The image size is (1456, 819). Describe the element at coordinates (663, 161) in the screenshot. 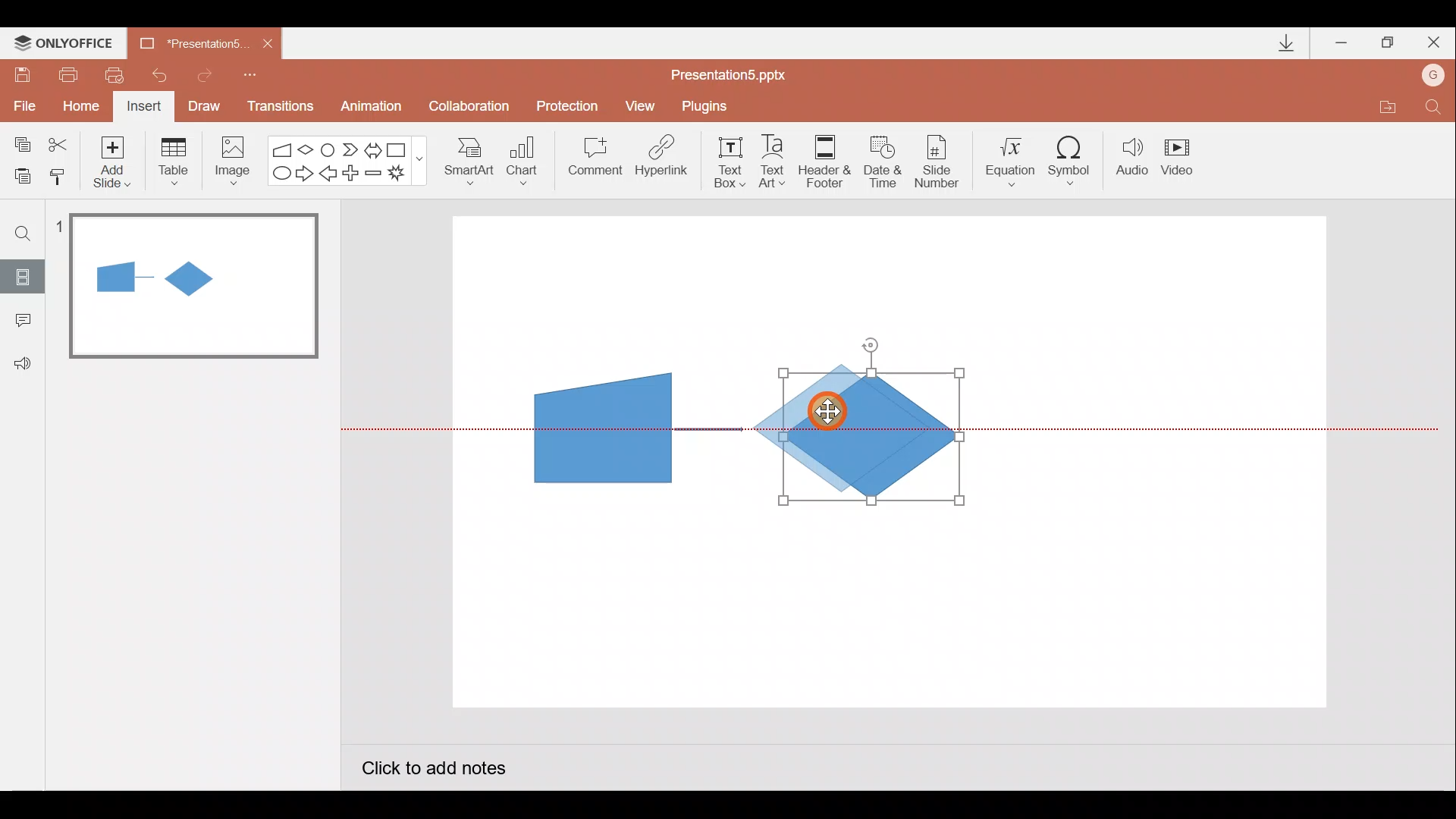

I see `Hyperlink` at that location.